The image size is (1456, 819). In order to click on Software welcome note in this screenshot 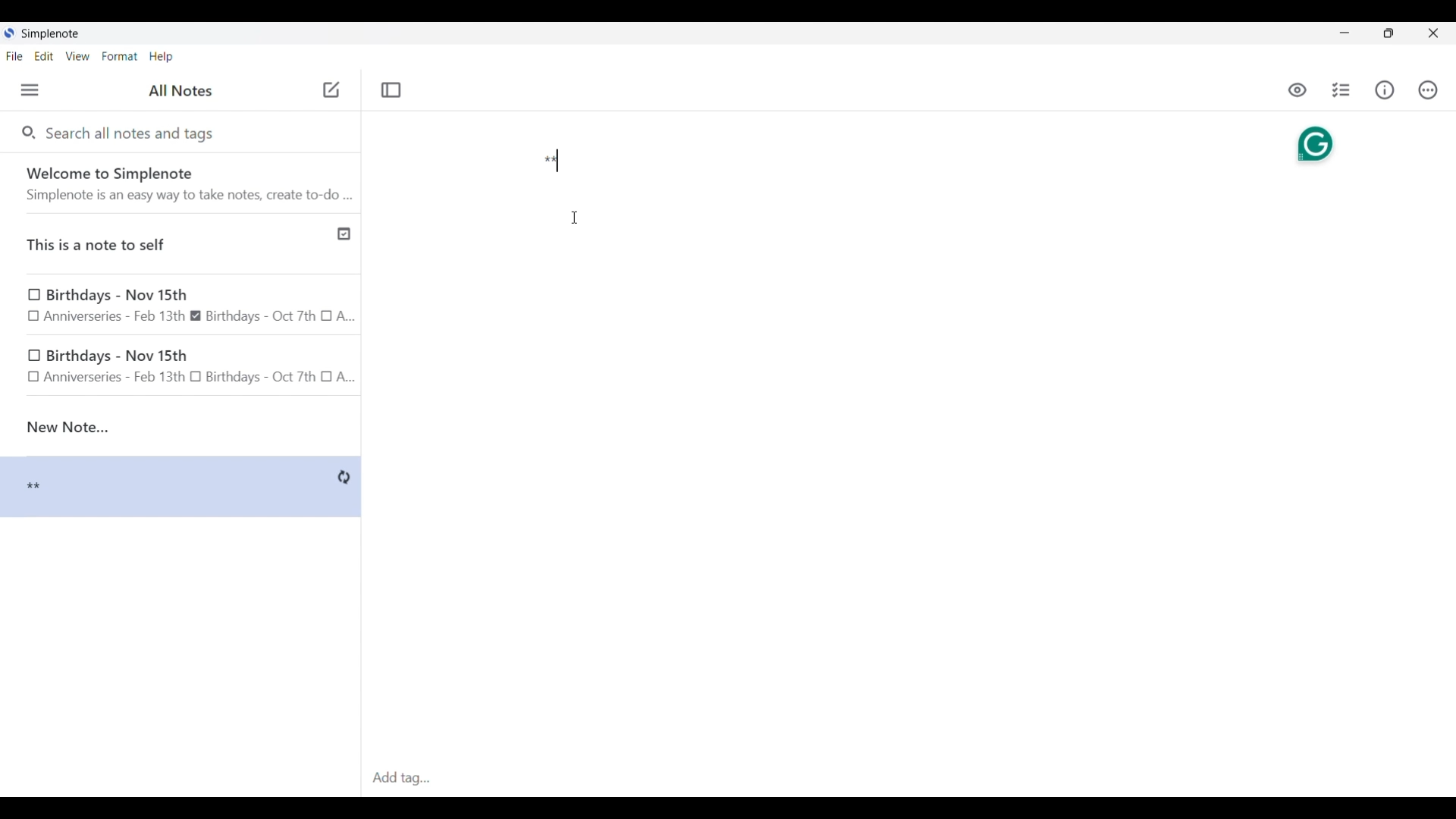, I will do `click(184, 183)`.